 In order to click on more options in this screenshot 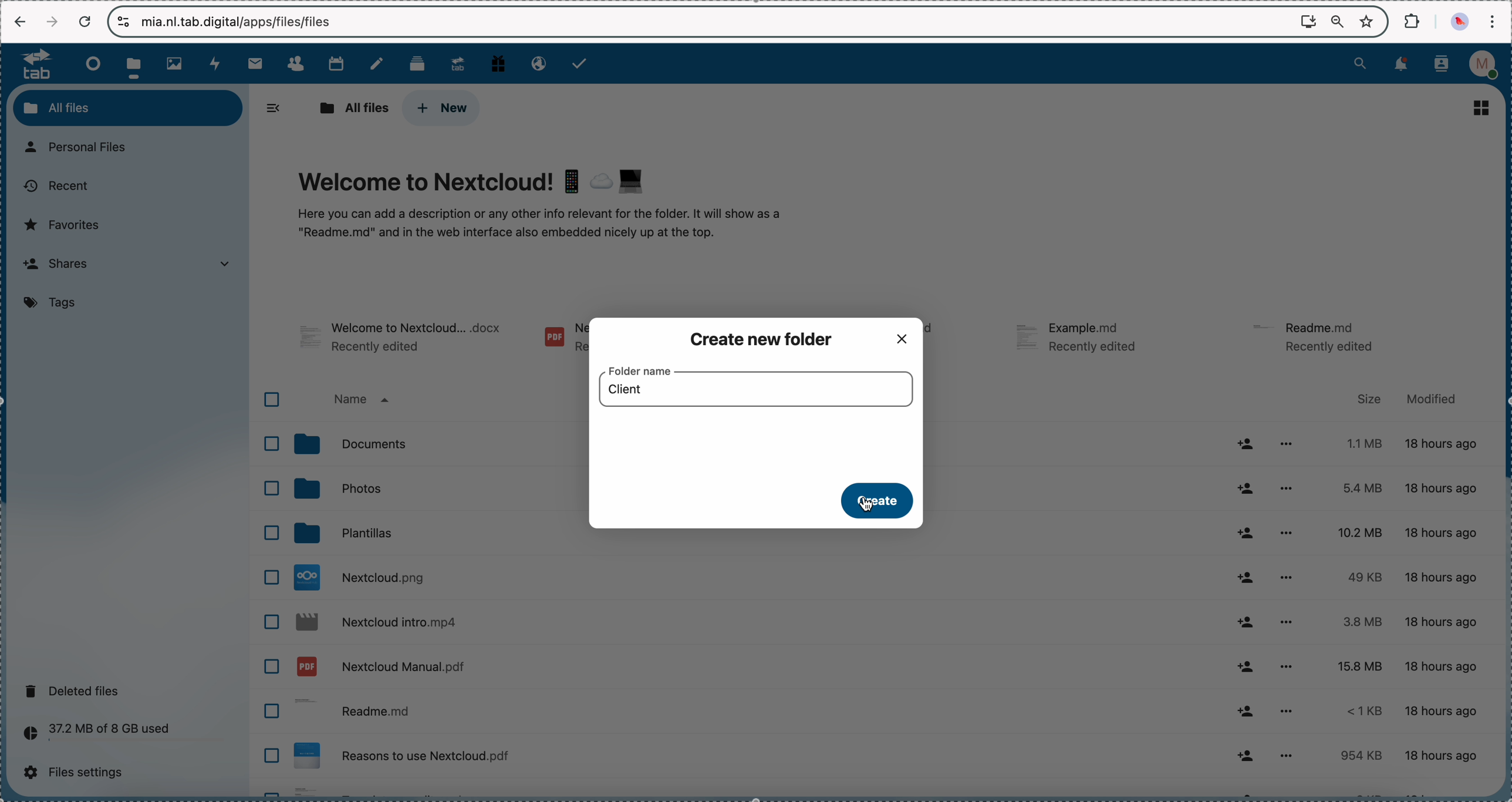, I will do `click(1285, 533)`.